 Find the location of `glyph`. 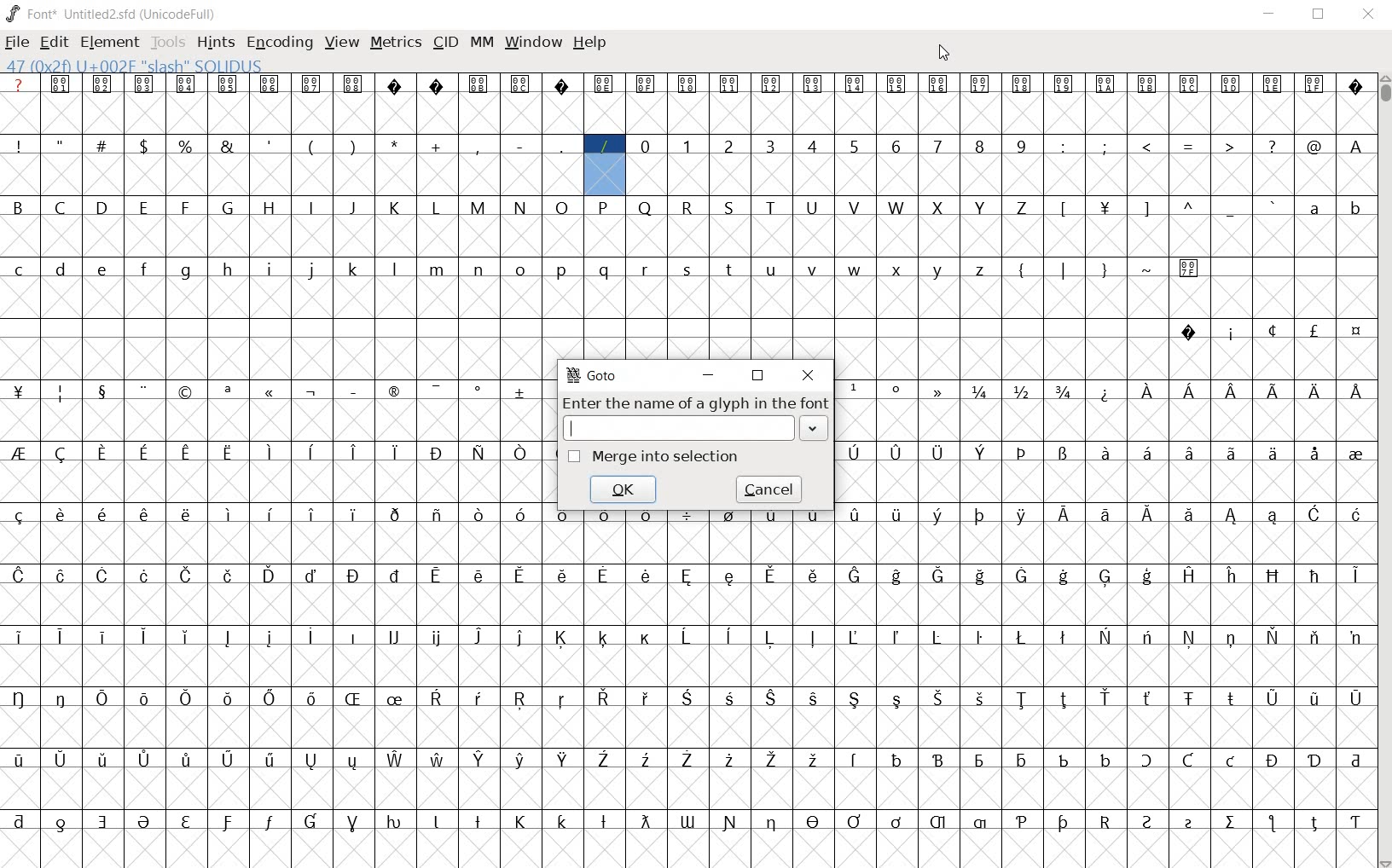

glyph is located at coordinates (186, 822).